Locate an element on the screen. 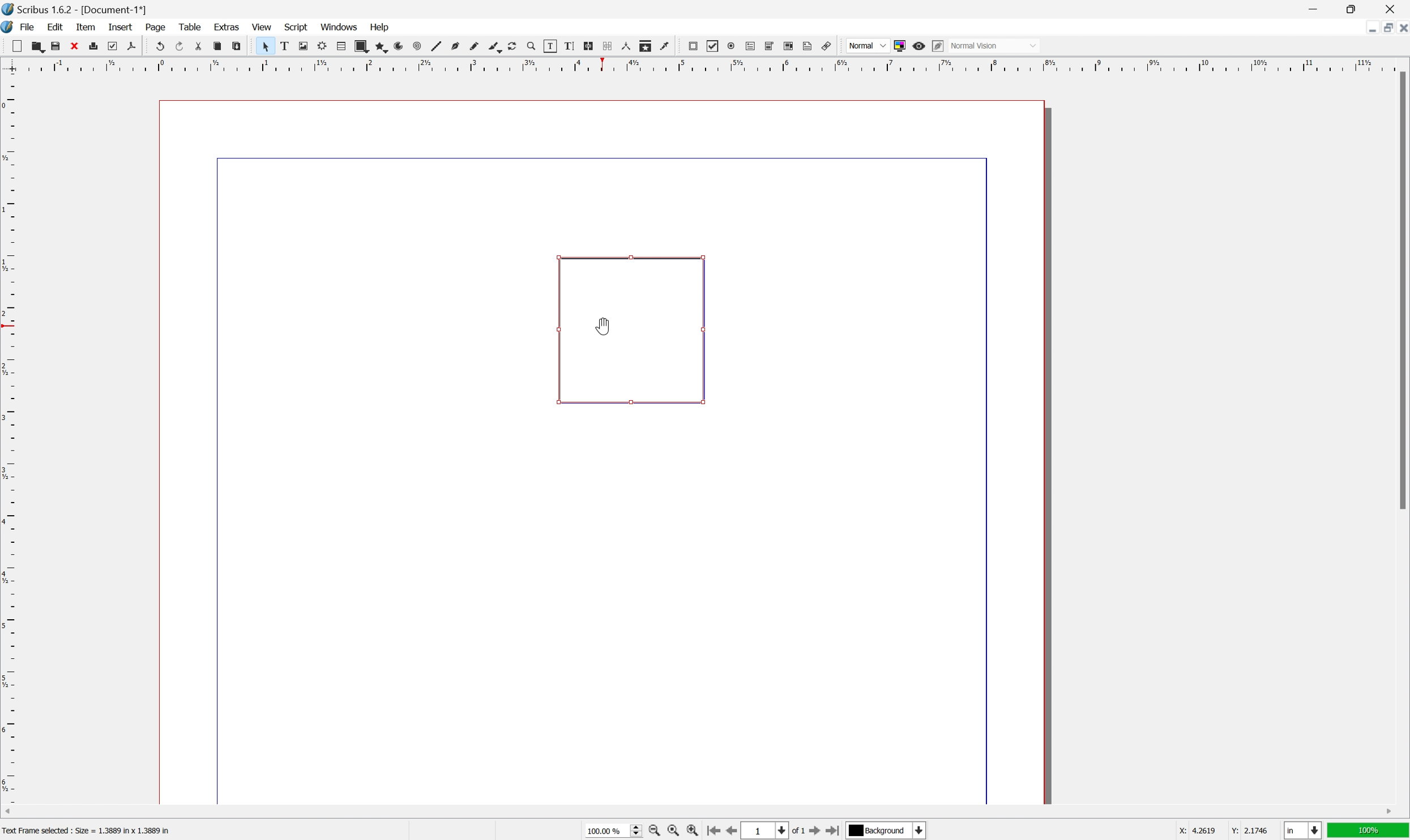 Image resolution: width=1410 pixels, height=840 pixels. measurements is located at coordinates (626, 46).